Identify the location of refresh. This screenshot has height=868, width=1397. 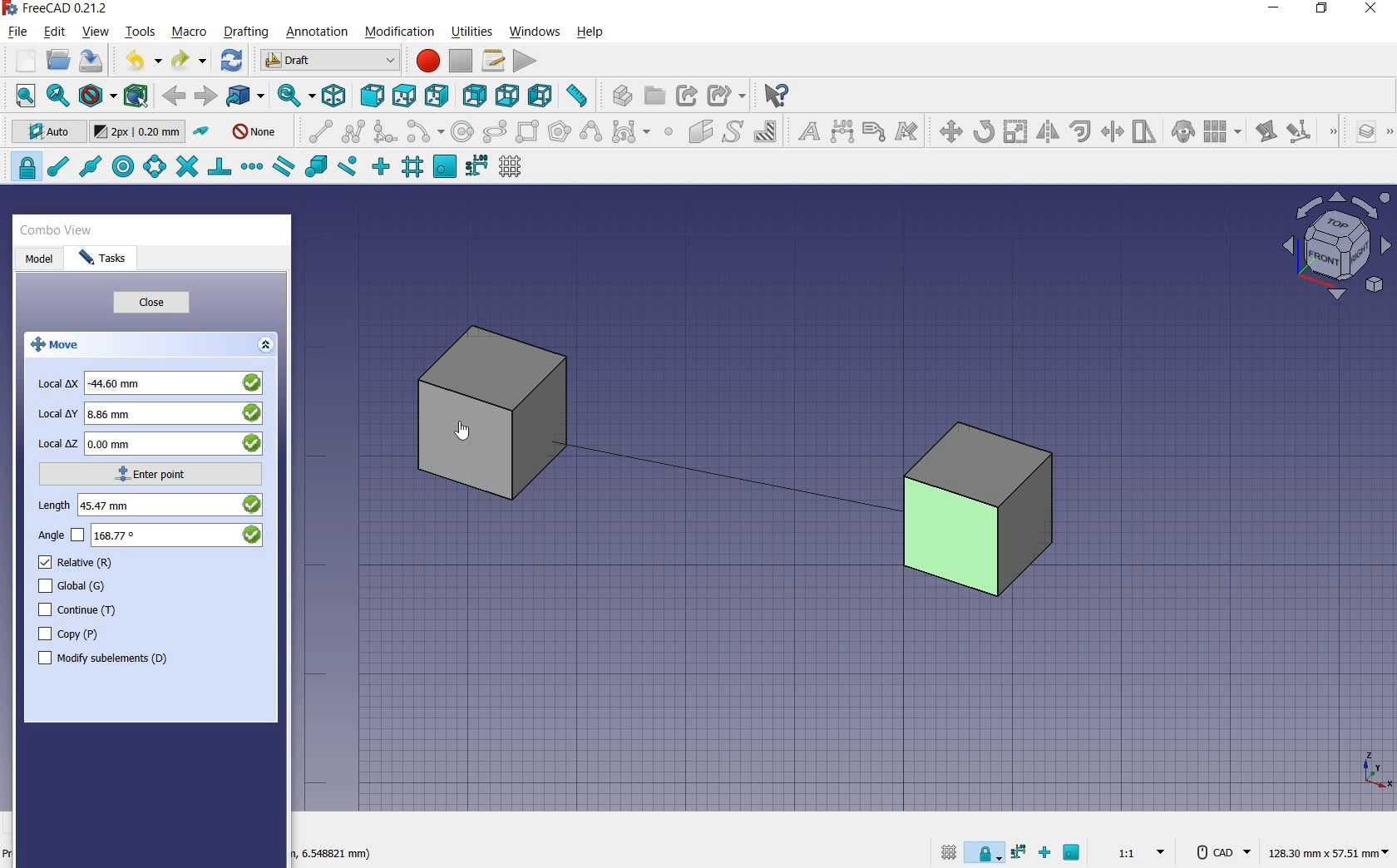
(232, 61).